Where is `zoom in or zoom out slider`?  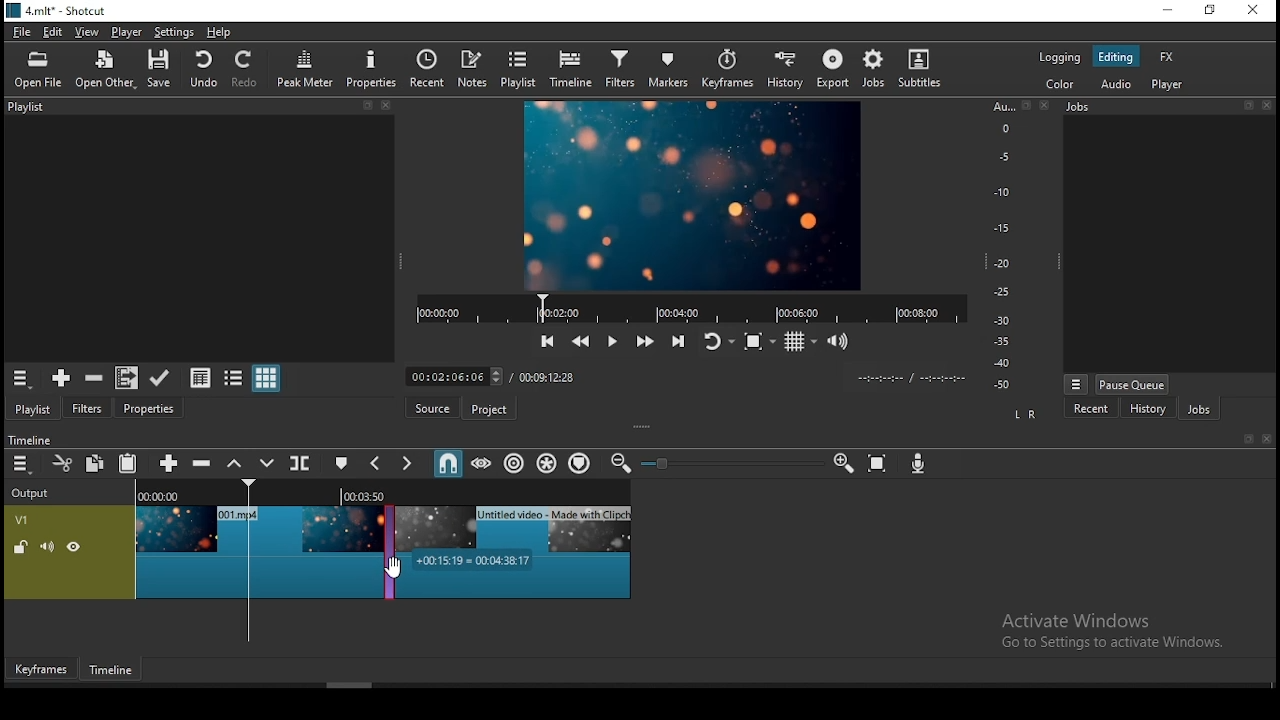
zoom in or zoom out slider is located at coordinates (725, 463).